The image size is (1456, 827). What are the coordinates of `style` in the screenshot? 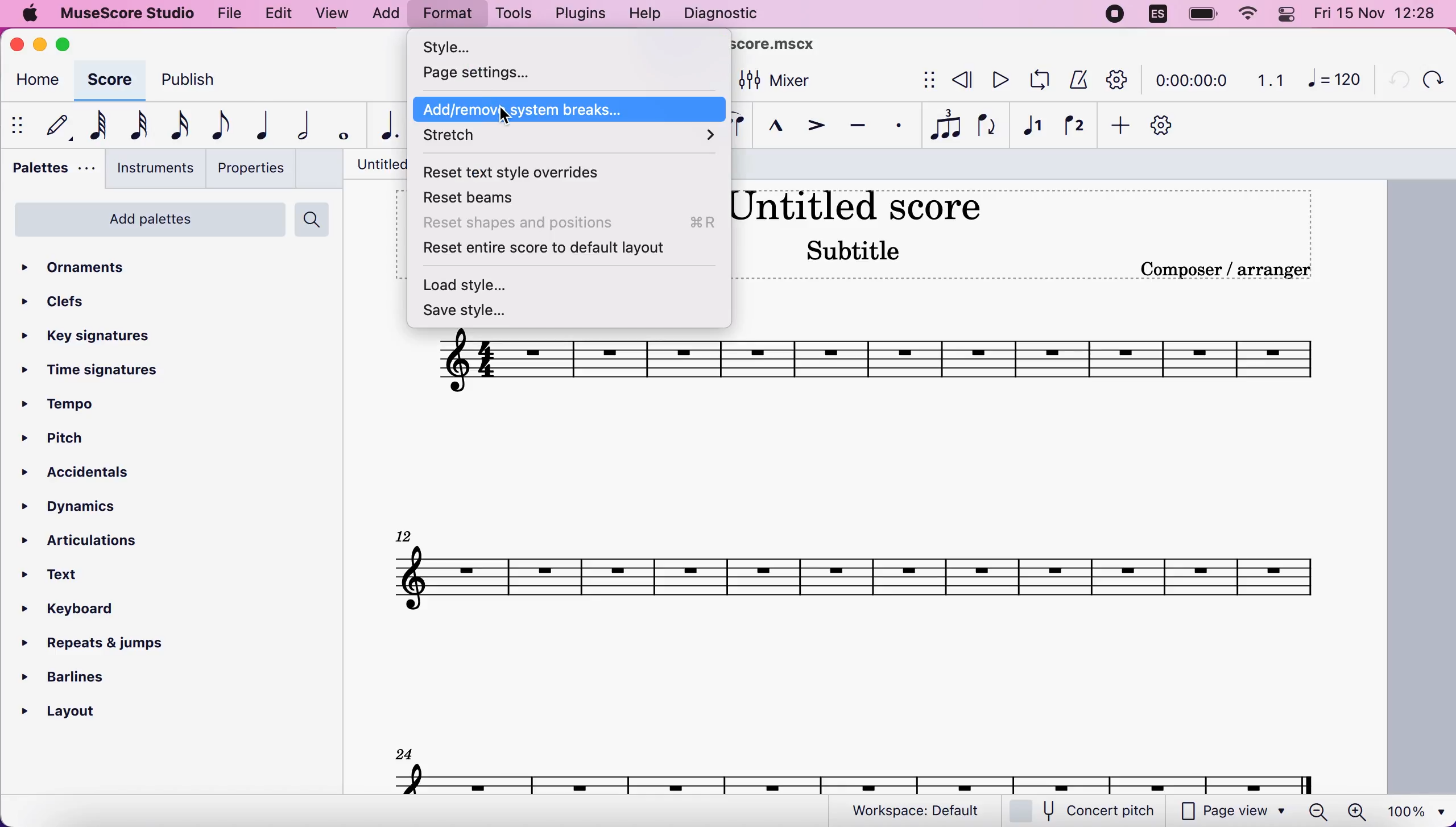 It's located at (493, 47).